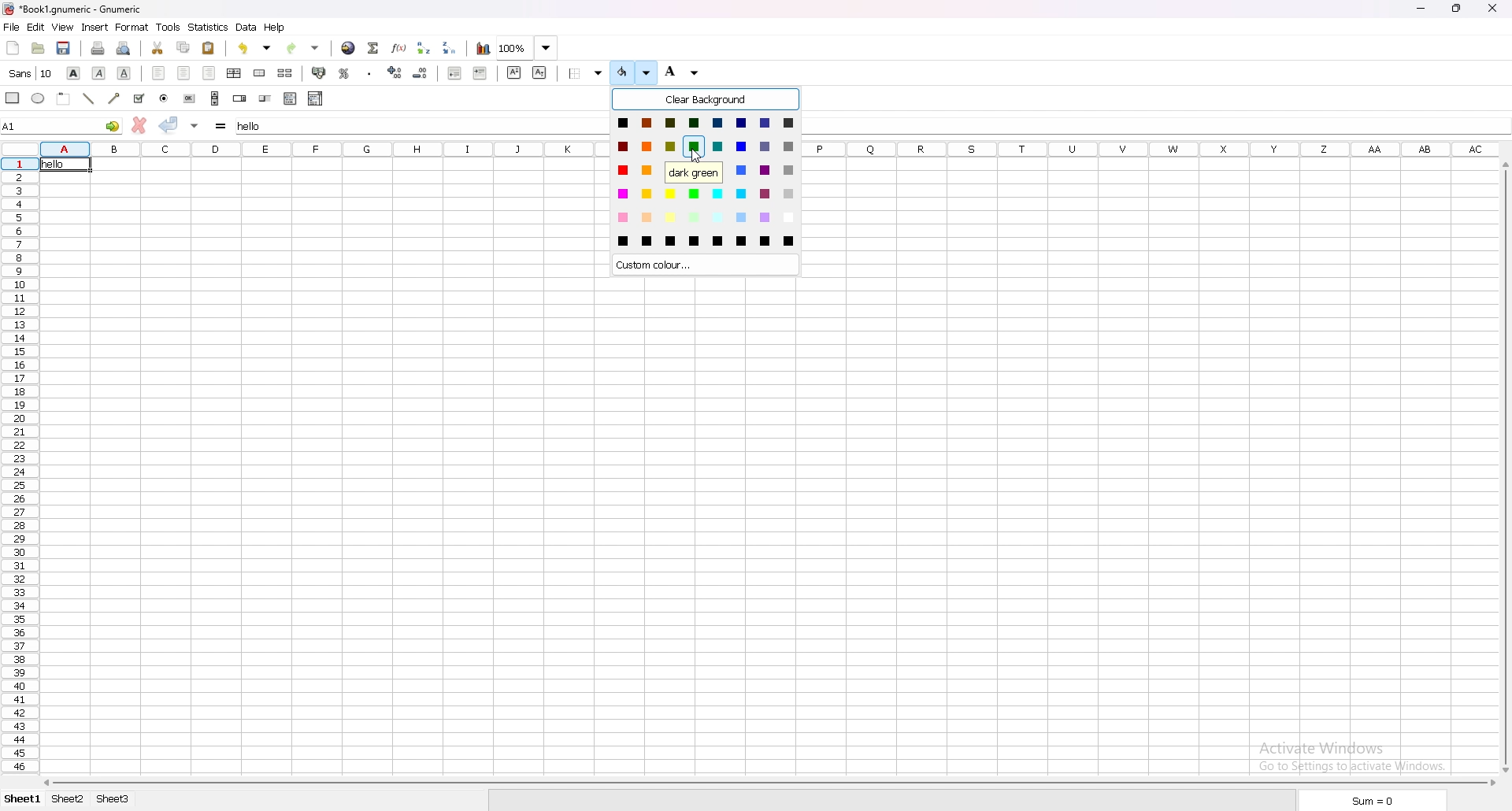 The width and height of the screenshot is (1512, 811). I want to click on Sheet 2, so click(69, 801).